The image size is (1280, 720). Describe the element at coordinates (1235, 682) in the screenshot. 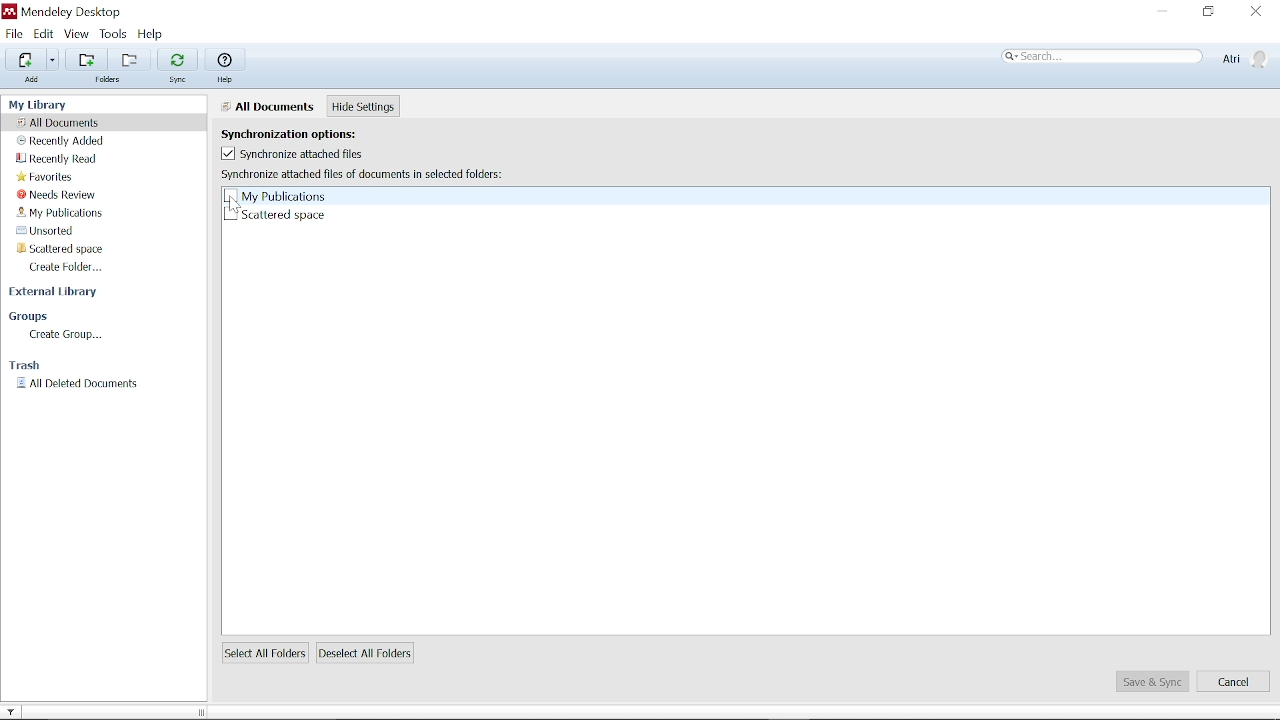

I see `Cancel` at that location.